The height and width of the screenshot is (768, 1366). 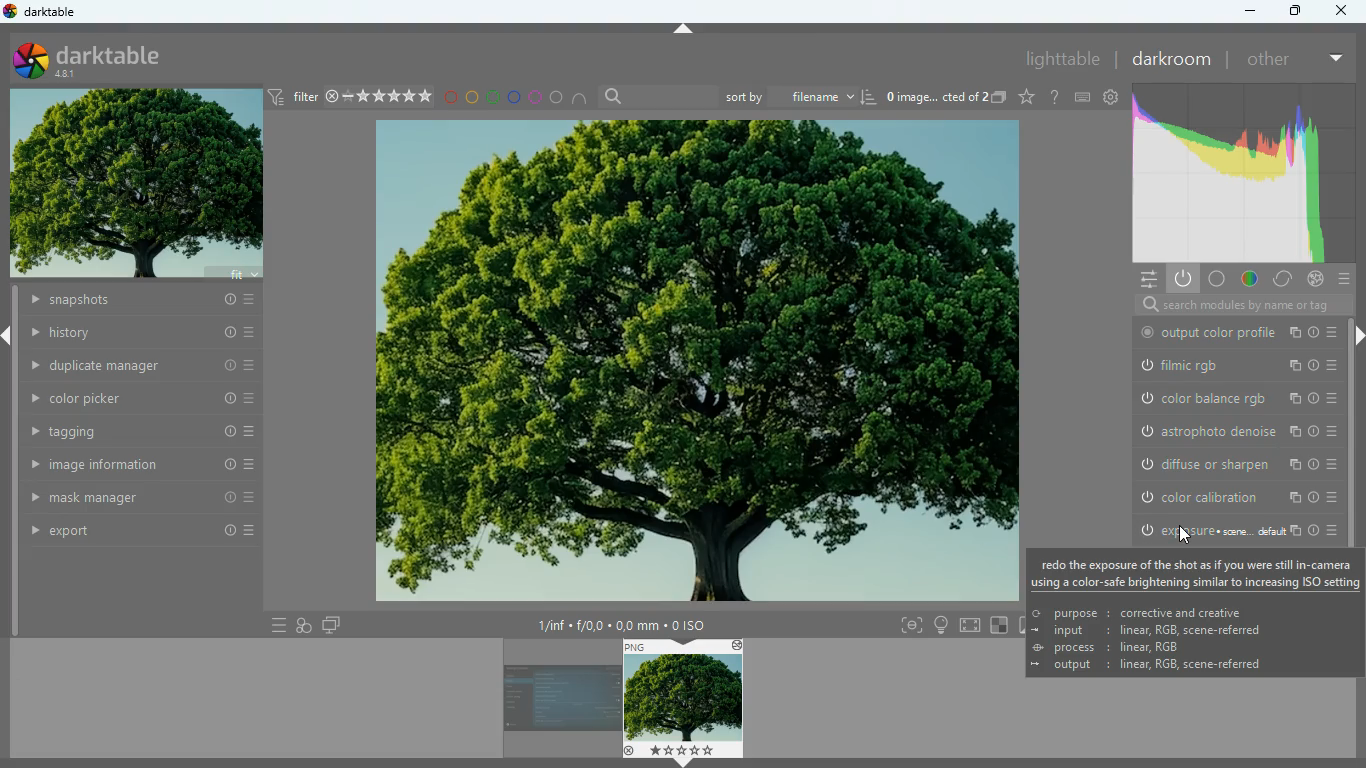 What do you see at coordinates (1293, 12) in the screenshot?
I see `maximize` at bounding box center [1293, 12].